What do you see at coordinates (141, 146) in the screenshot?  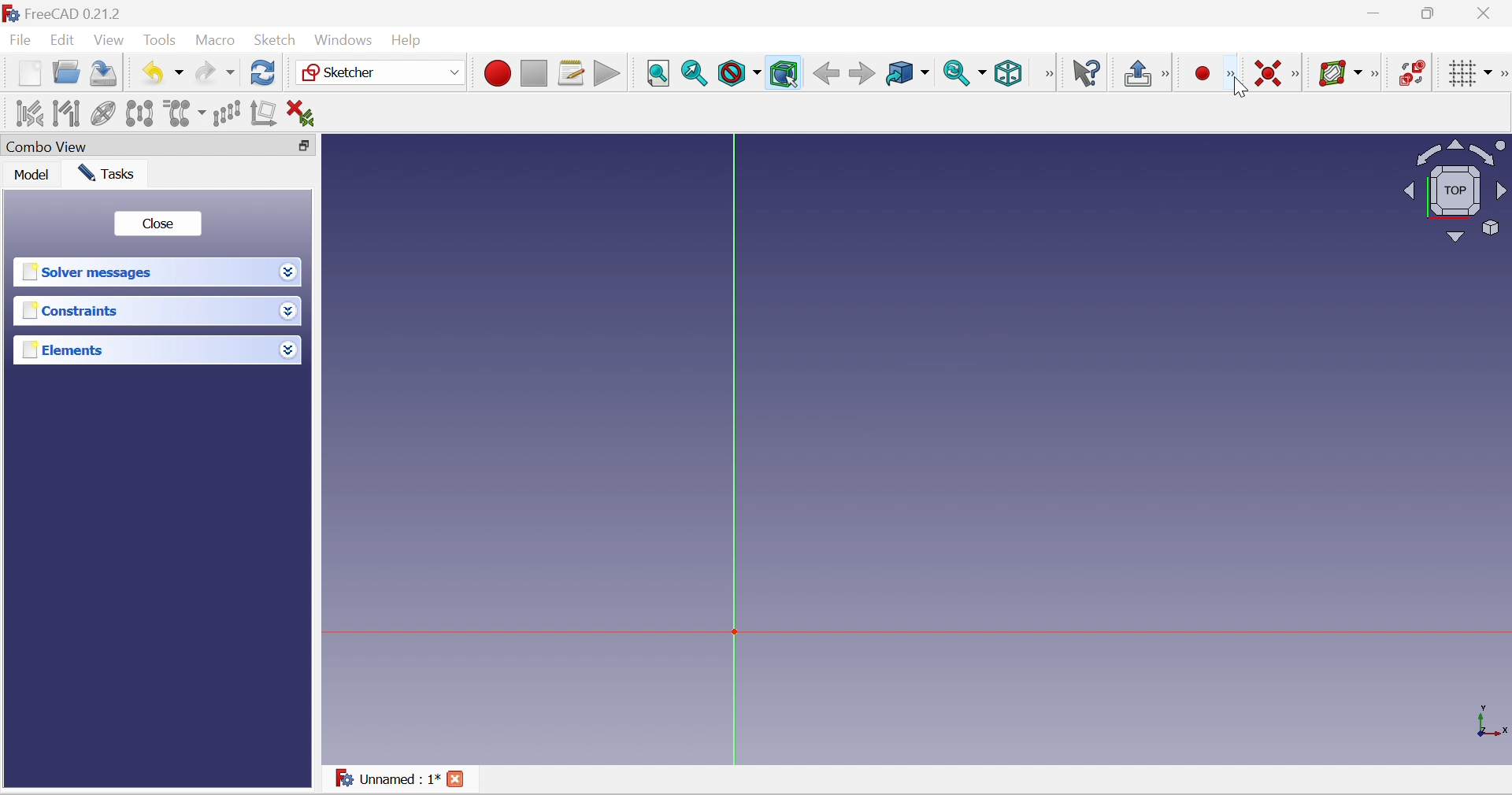 I see `Combo View` at bounding box center [141, 146].